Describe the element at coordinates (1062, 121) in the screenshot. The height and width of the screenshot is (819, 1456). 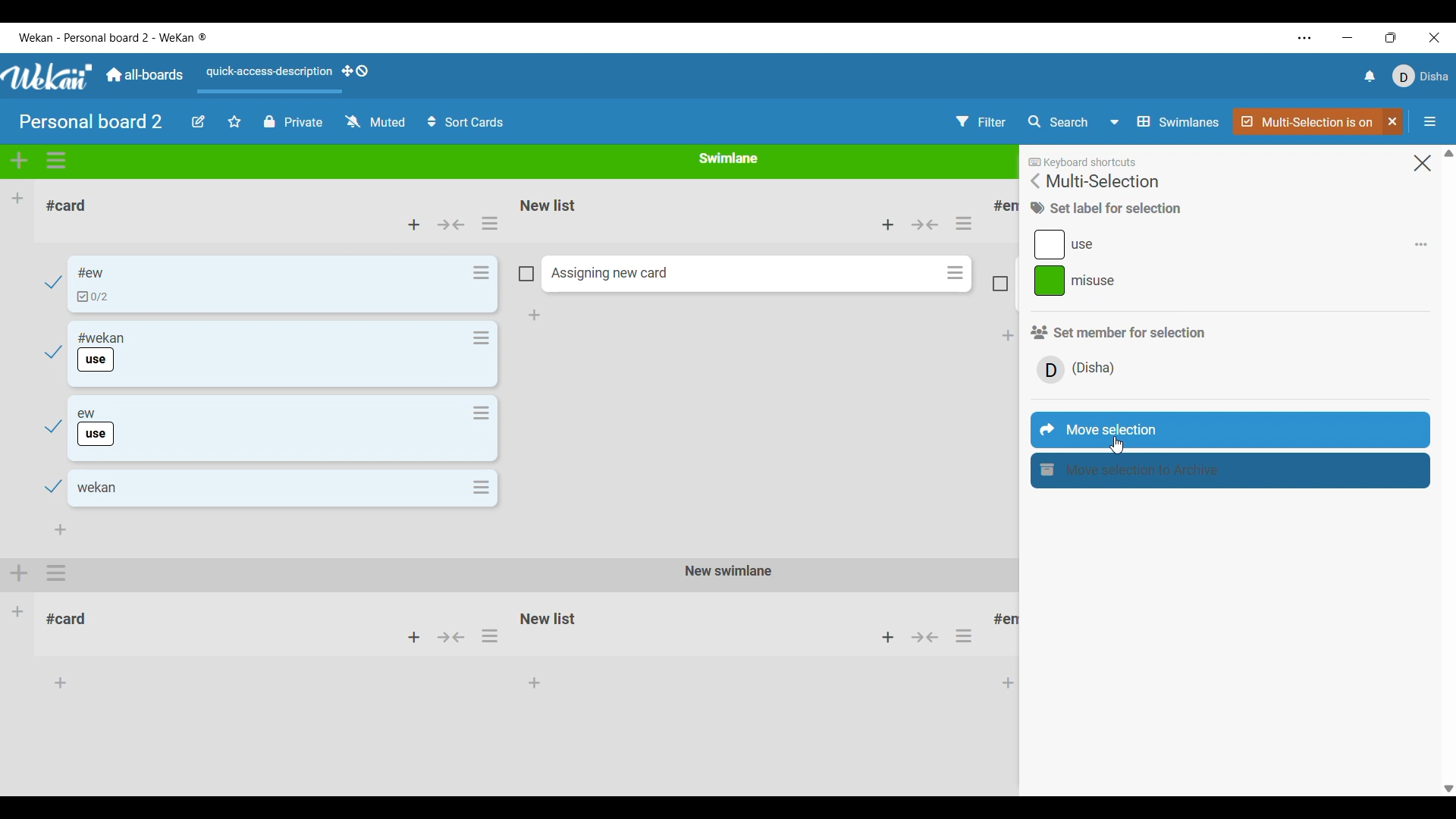
I see `Search` at that location.